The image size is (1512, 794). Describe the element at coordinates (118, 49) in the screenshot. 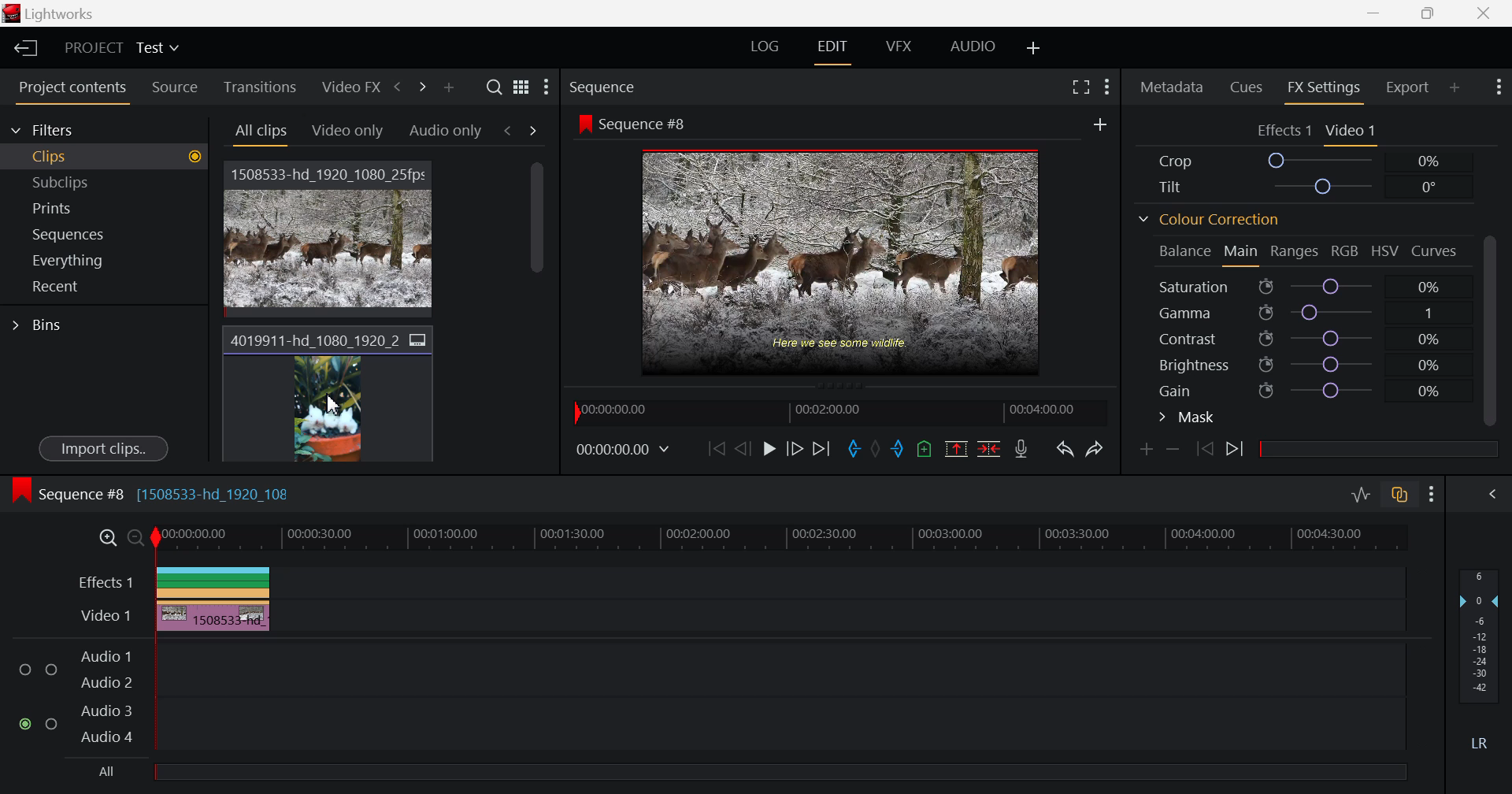

I see `Project Title` at that location.